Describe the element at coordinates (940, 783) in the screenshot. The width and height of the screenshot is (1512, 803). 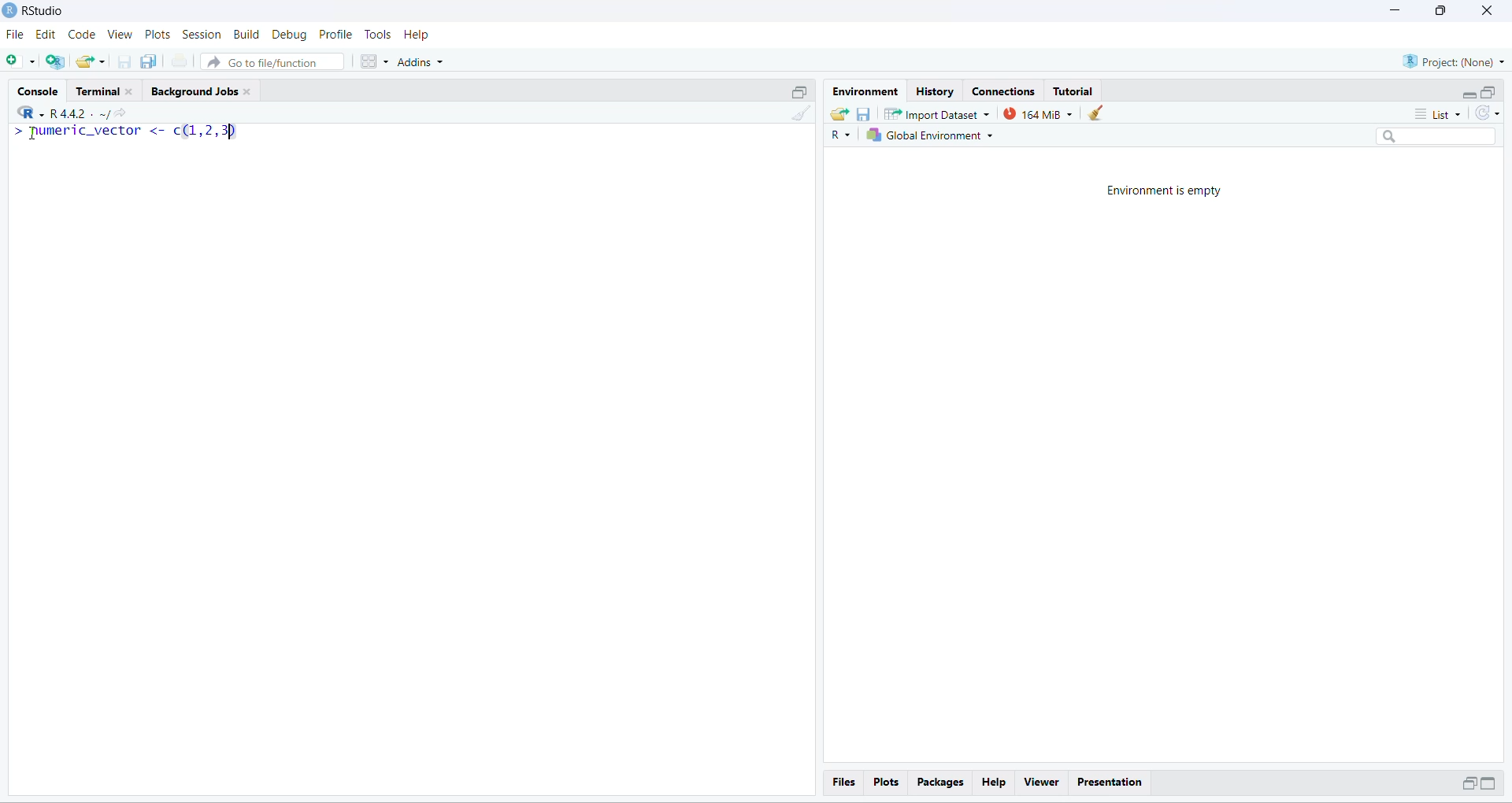
I see `Packages` at that location.